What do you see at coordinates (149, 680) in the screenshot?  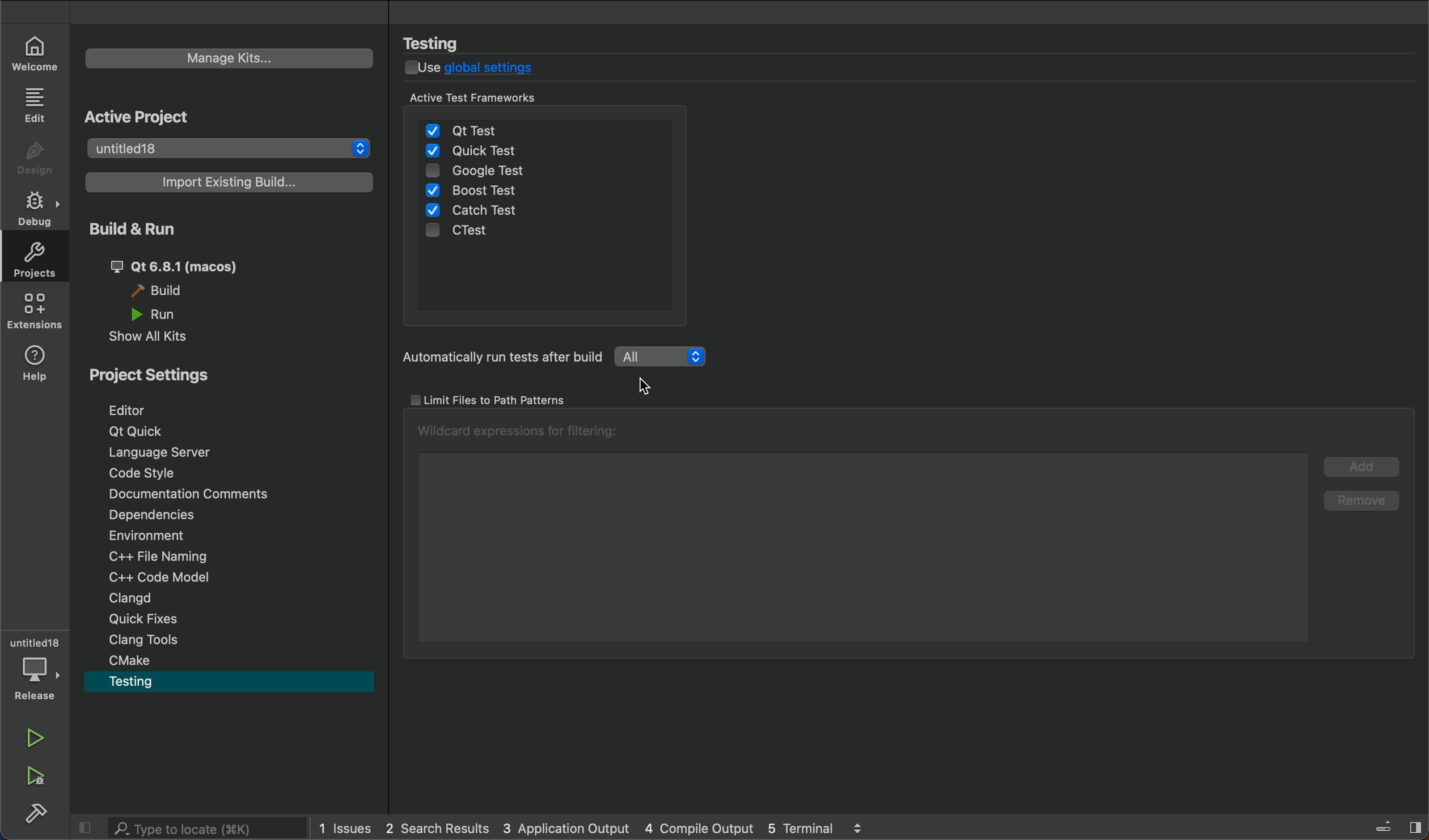 I see `testing ` at bounding box center [149, 680].